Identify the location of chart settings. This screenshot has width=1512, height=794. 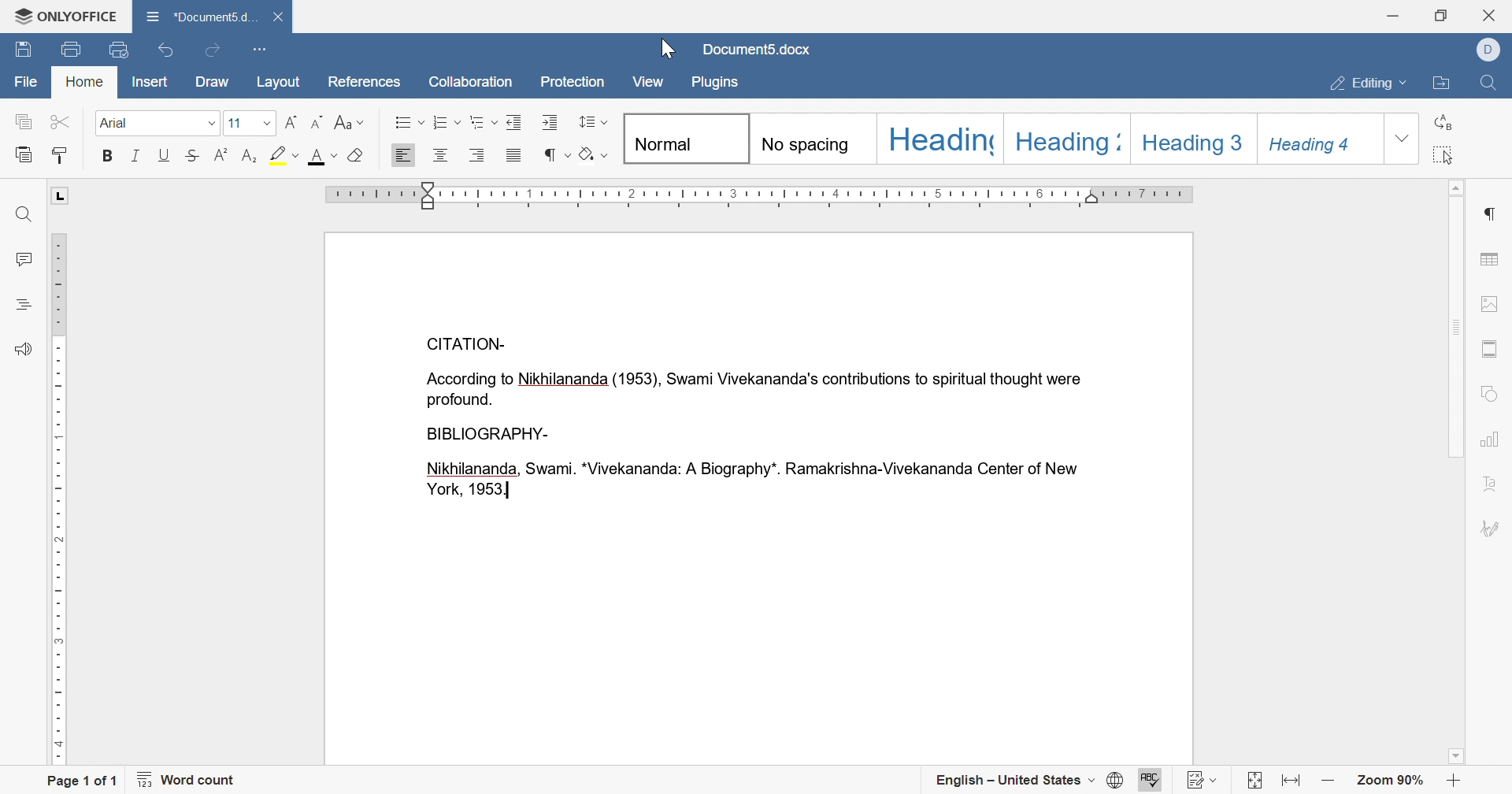
(1489, 440).